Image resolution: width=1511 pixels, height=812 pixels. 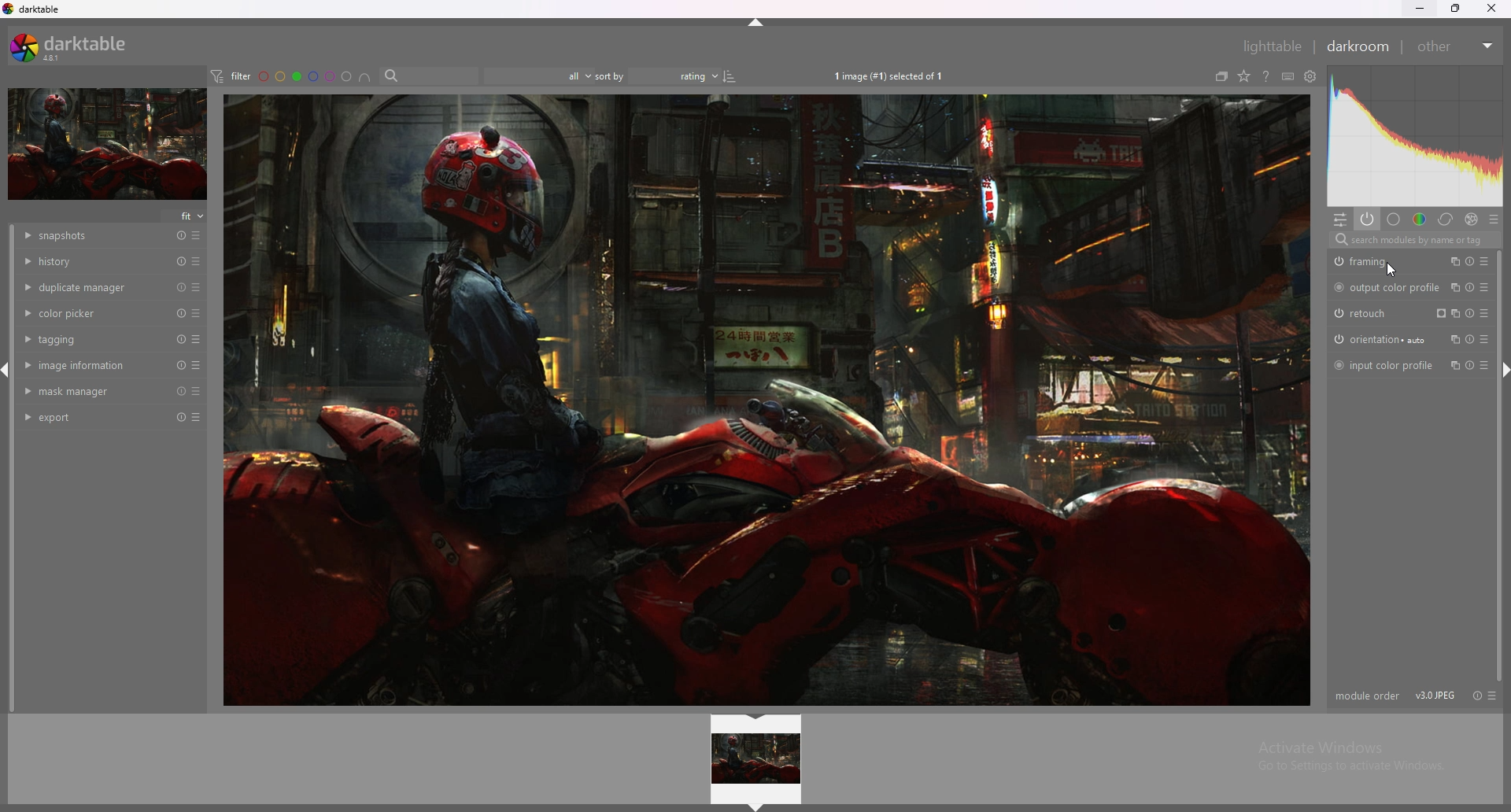 What do you see at coordinates (94, 364) in the screenshot?
I see `image information` at bounding box center [94, 364].